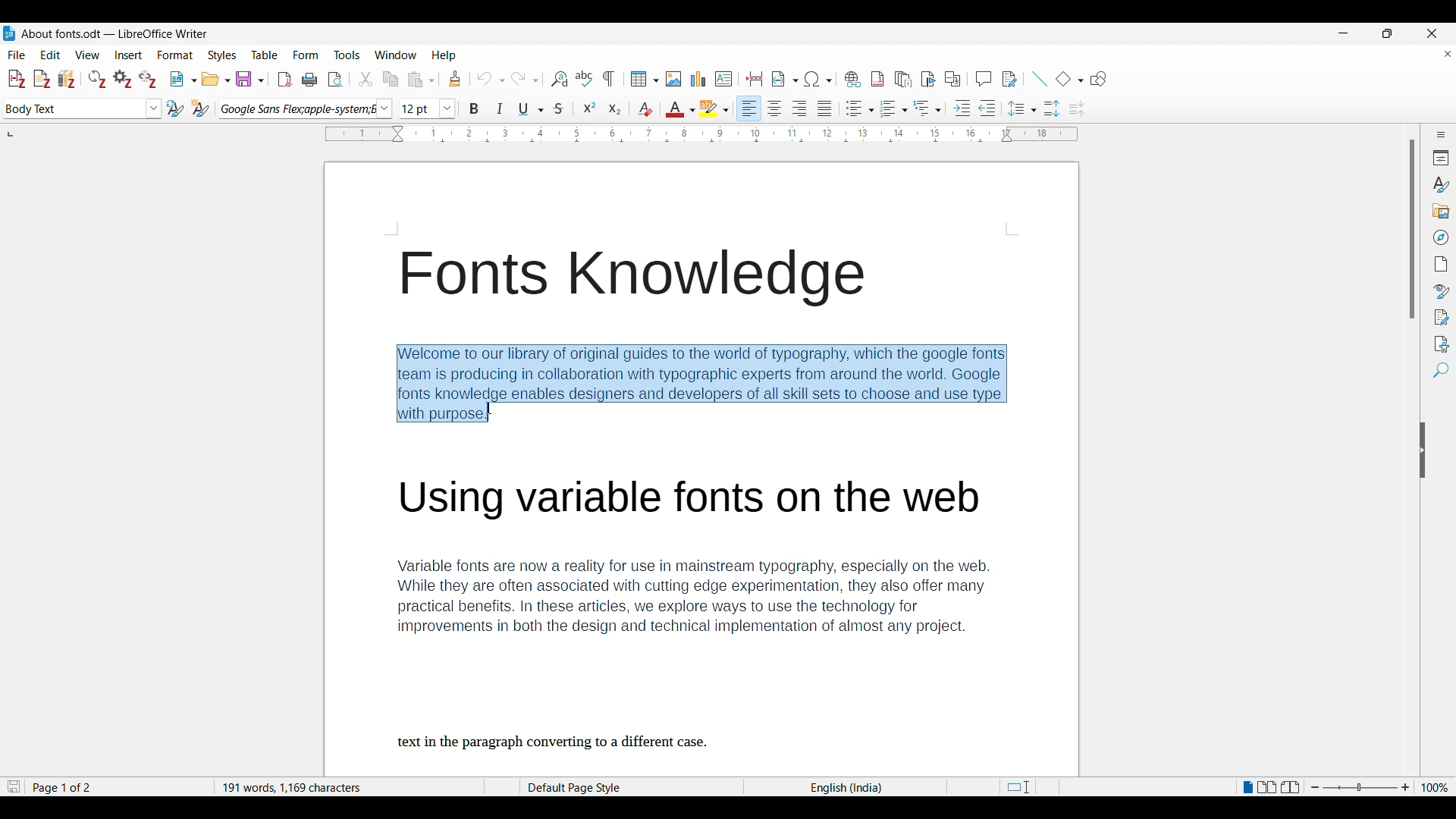  I want to click on Cursor position unchanged, so click(492, 417).